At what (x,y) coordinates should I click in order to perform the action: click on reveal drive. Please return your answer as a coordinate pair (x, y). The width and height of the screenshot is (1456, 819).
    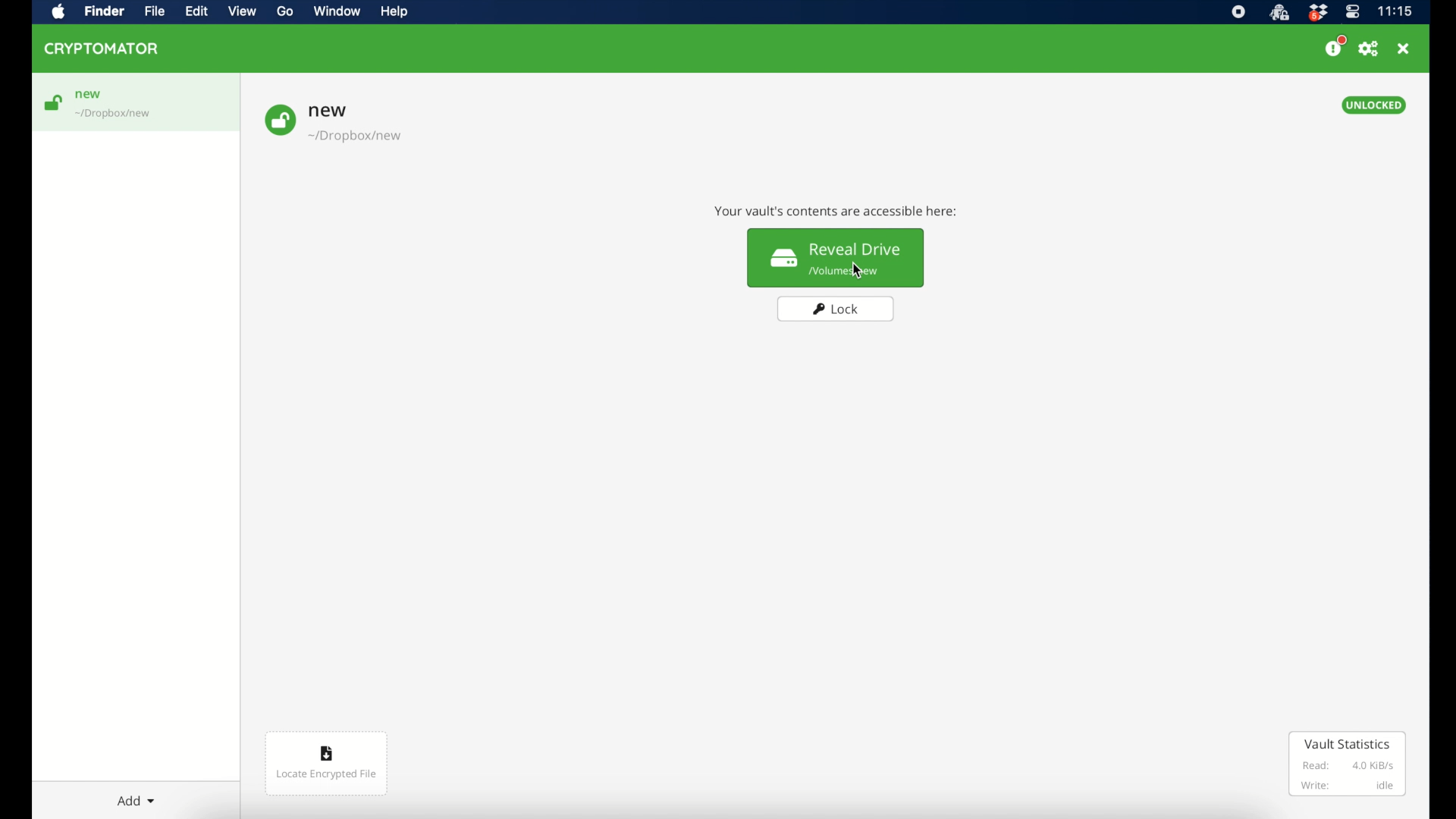
    Looking at the image, I should click on (836, 259).